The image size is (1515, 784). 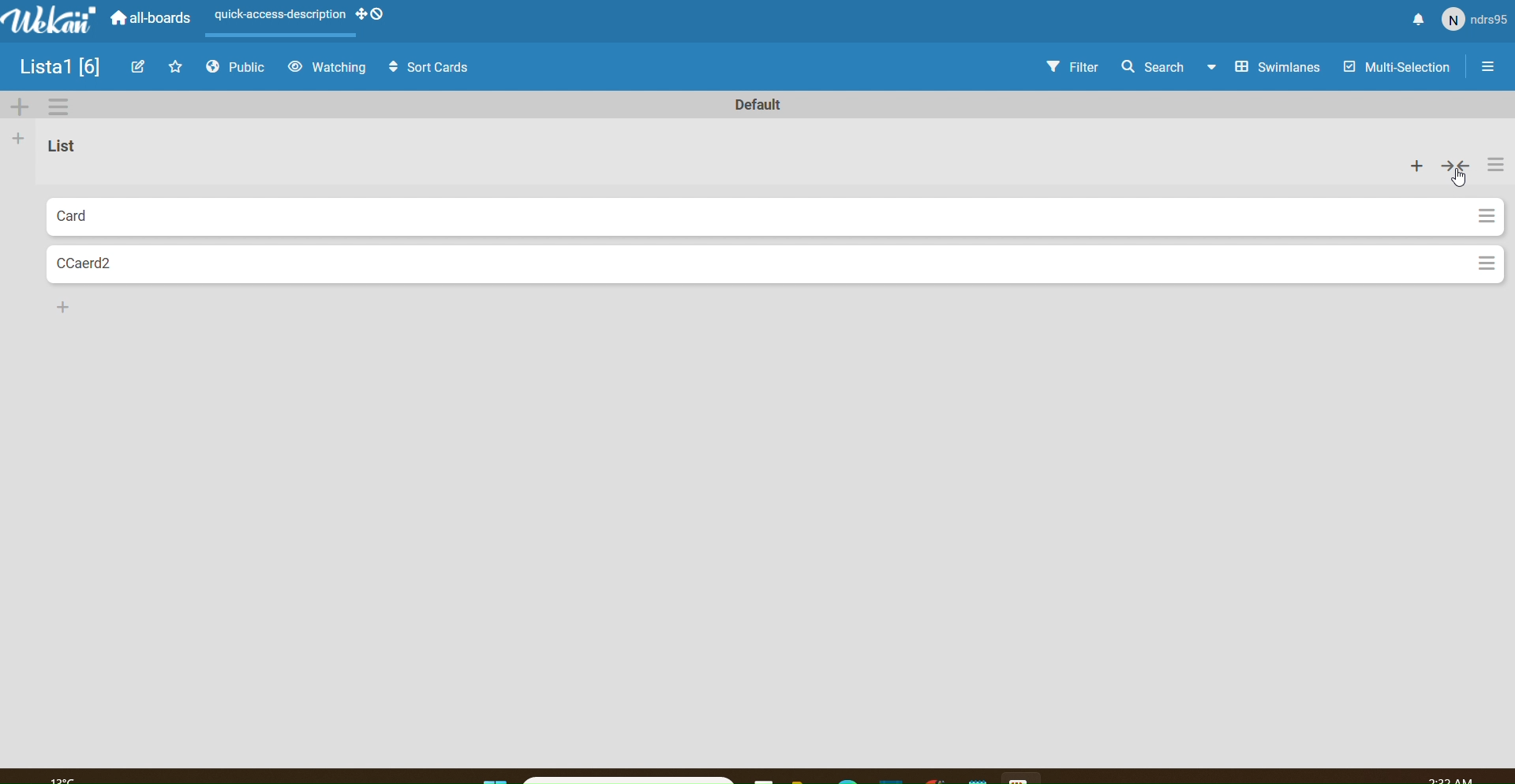 I want to click on Add, so click(x=16, y=141).